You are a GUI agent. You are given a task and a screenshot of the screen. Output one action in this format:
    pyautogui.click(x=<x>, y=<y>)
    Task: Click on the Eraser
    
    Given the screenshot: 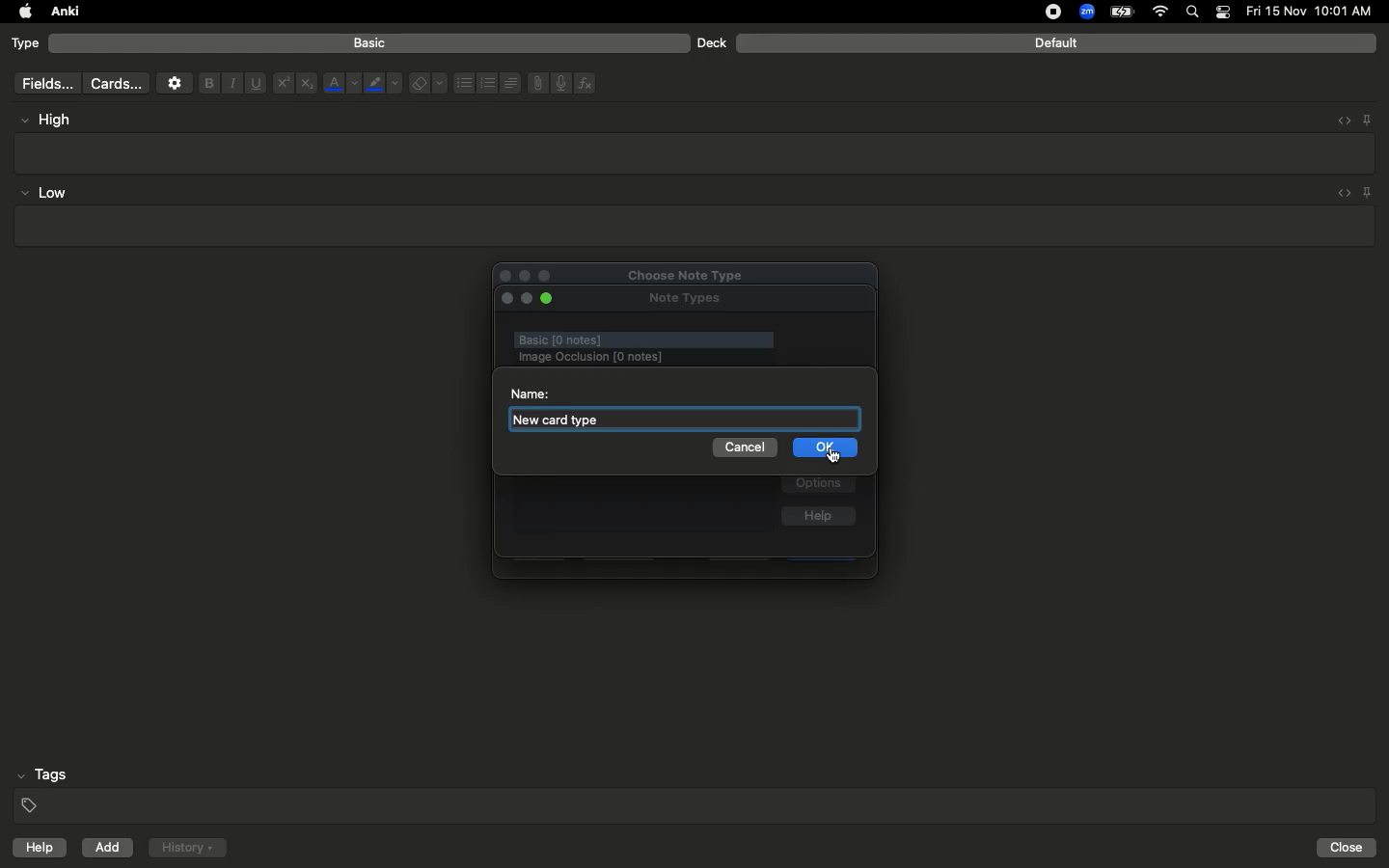 What is the action you would take?
    pyautogui.click(x=427, y=84)
    